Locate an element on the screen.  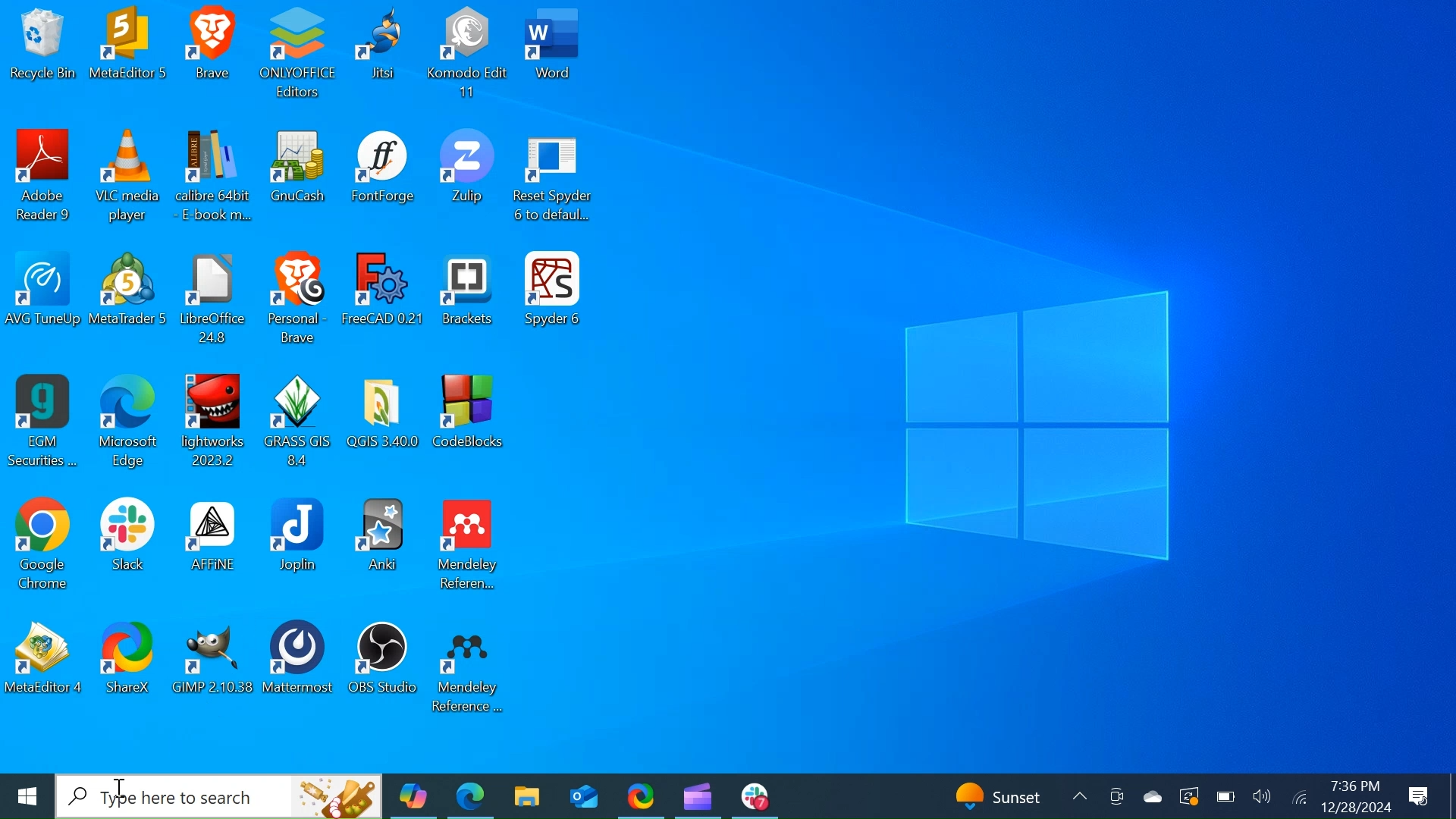
File Explorer is located at coordinates (526, 796).